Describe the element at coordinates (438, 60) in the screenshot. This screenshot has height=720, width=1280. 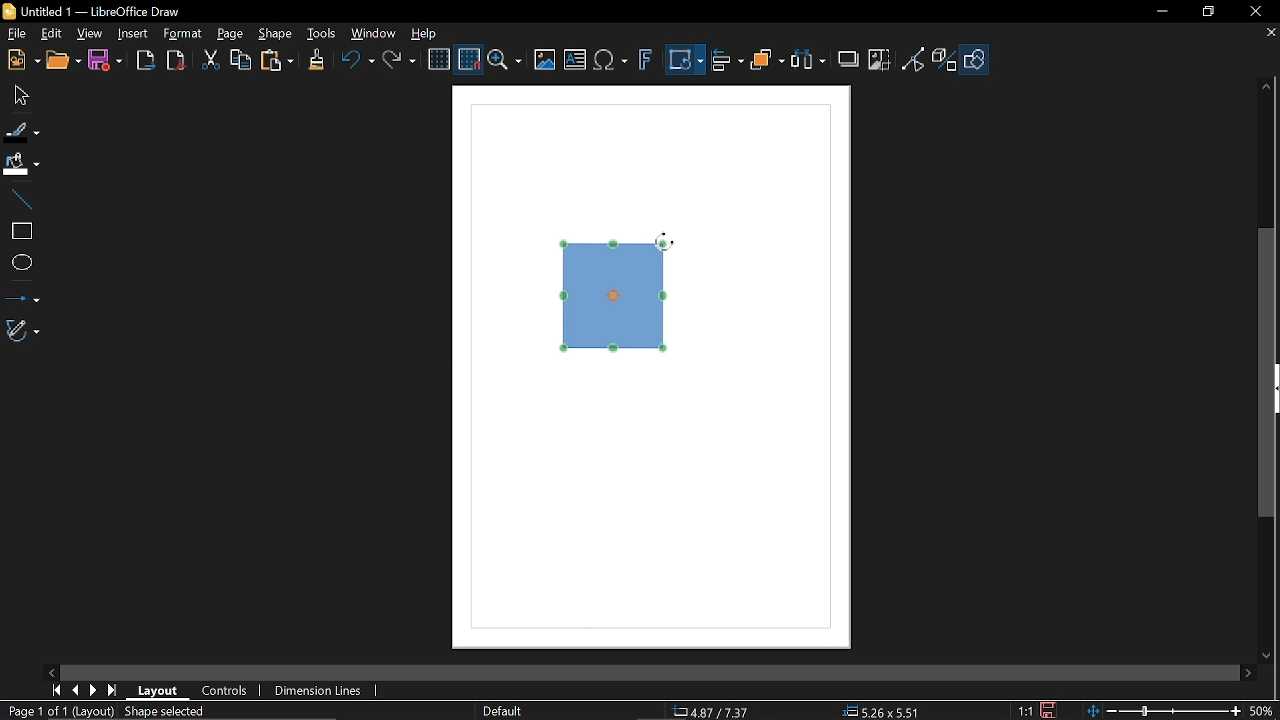
I see `Display grid` at that location.